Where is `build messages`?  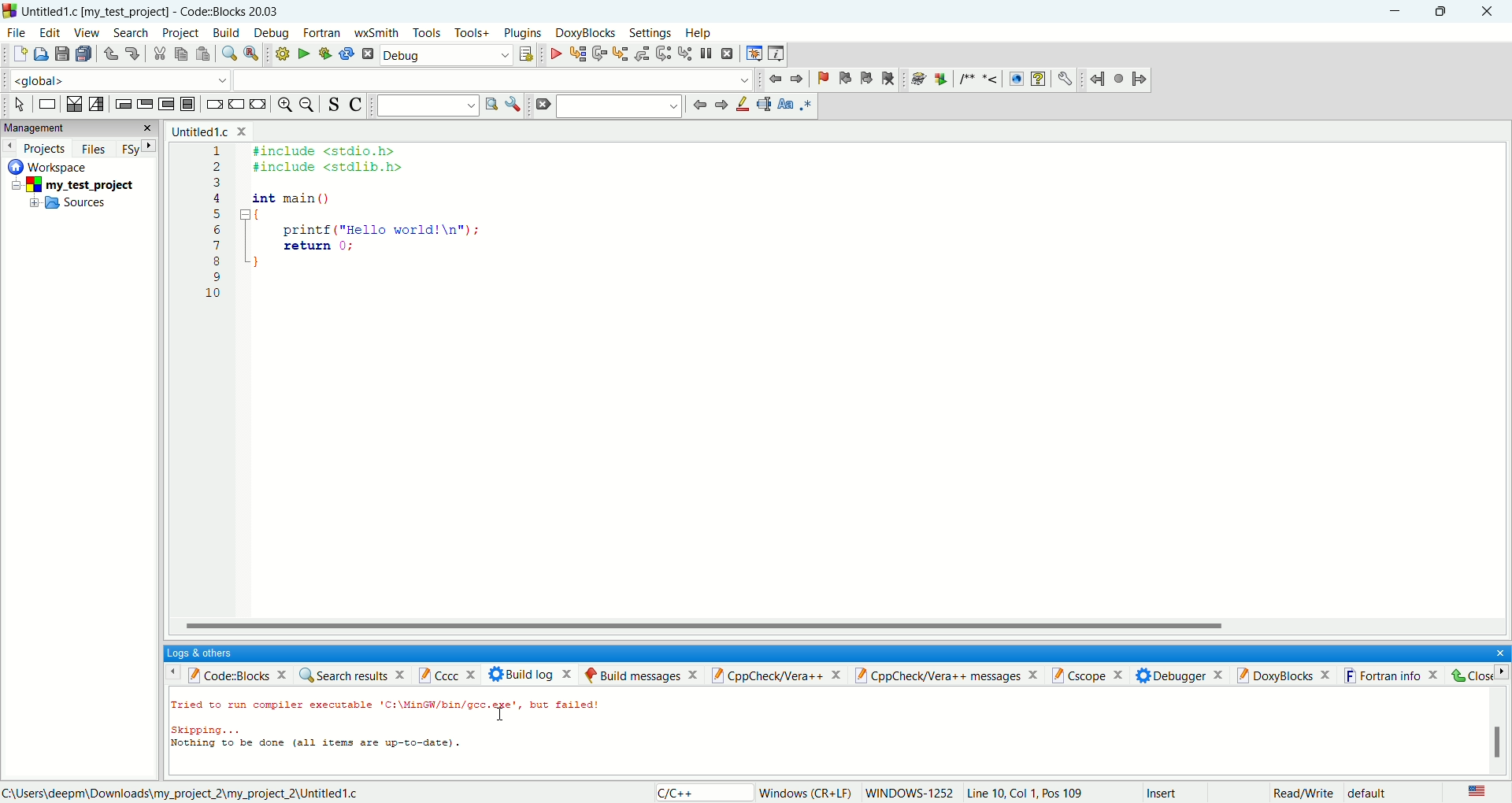 build messages is located at coordinates (640, 675).